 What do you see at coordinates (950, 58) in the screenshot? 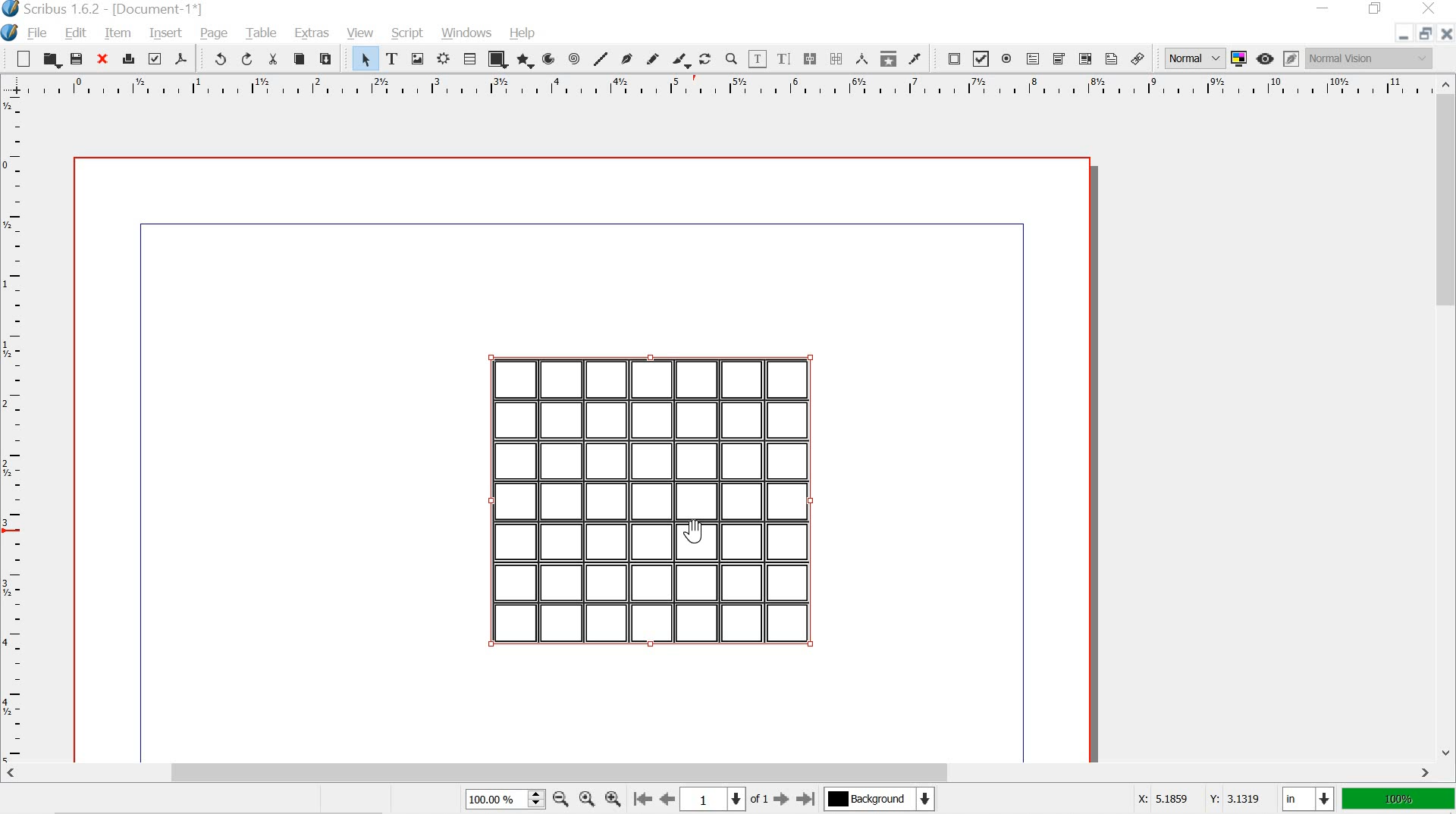
I see `pdf push button` at bounding box center [950, 58].